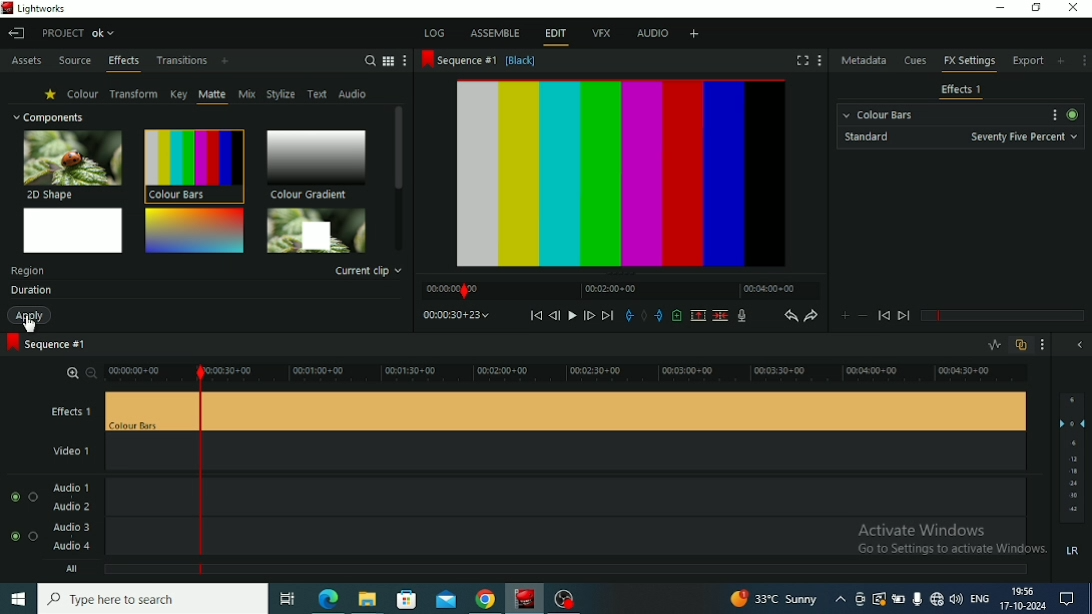 This screenshot has width=1092, height=614. What do you see at coordinates (89, 539) in the screenshot?
I see `Audio 3 and 4` at bounding box center [89, 539].